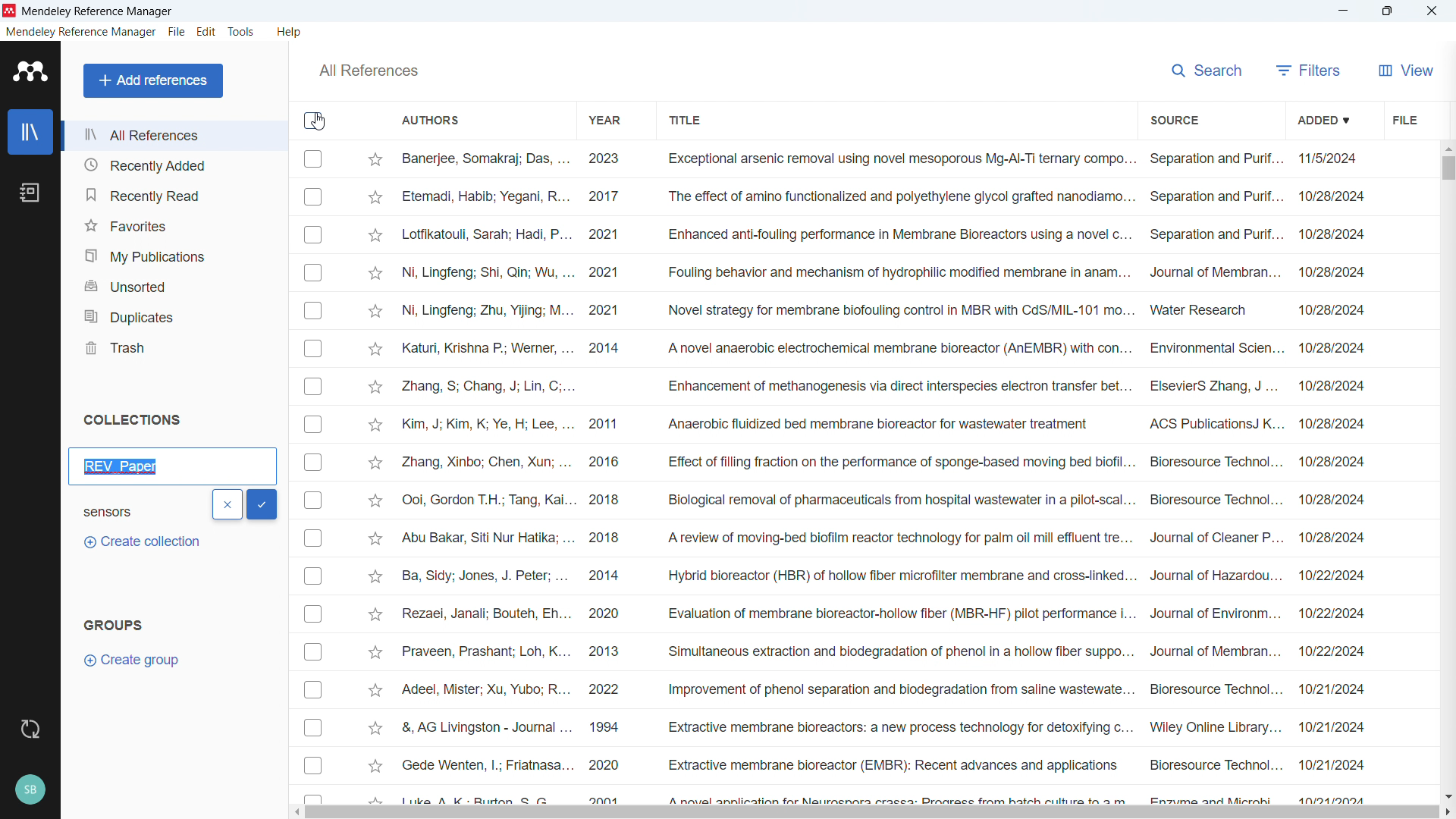  I want to click on tick, so click(262, 505).